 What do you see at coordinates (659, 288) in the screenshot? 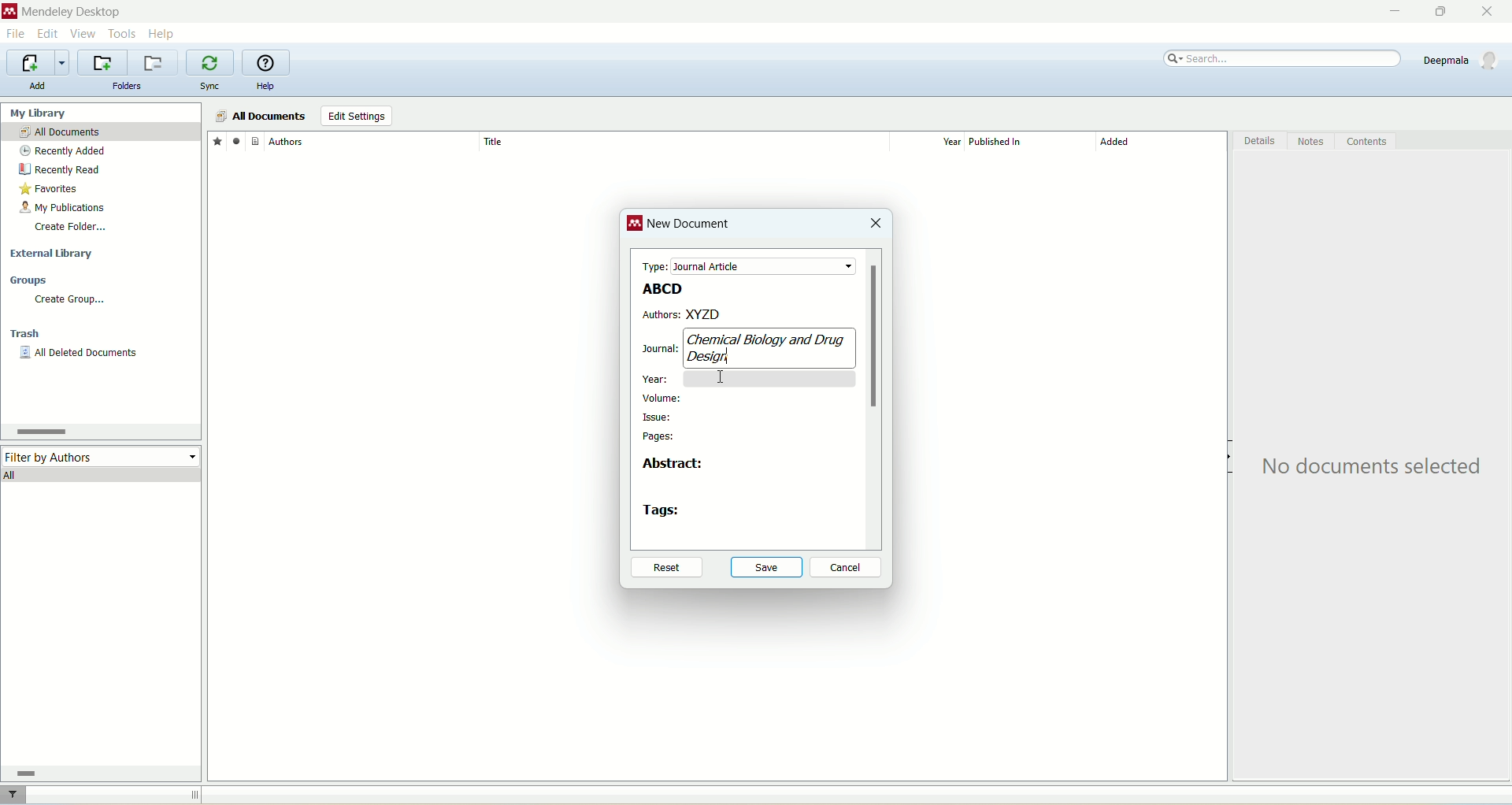
I see `ABCD` at bounding box center [659, 288].